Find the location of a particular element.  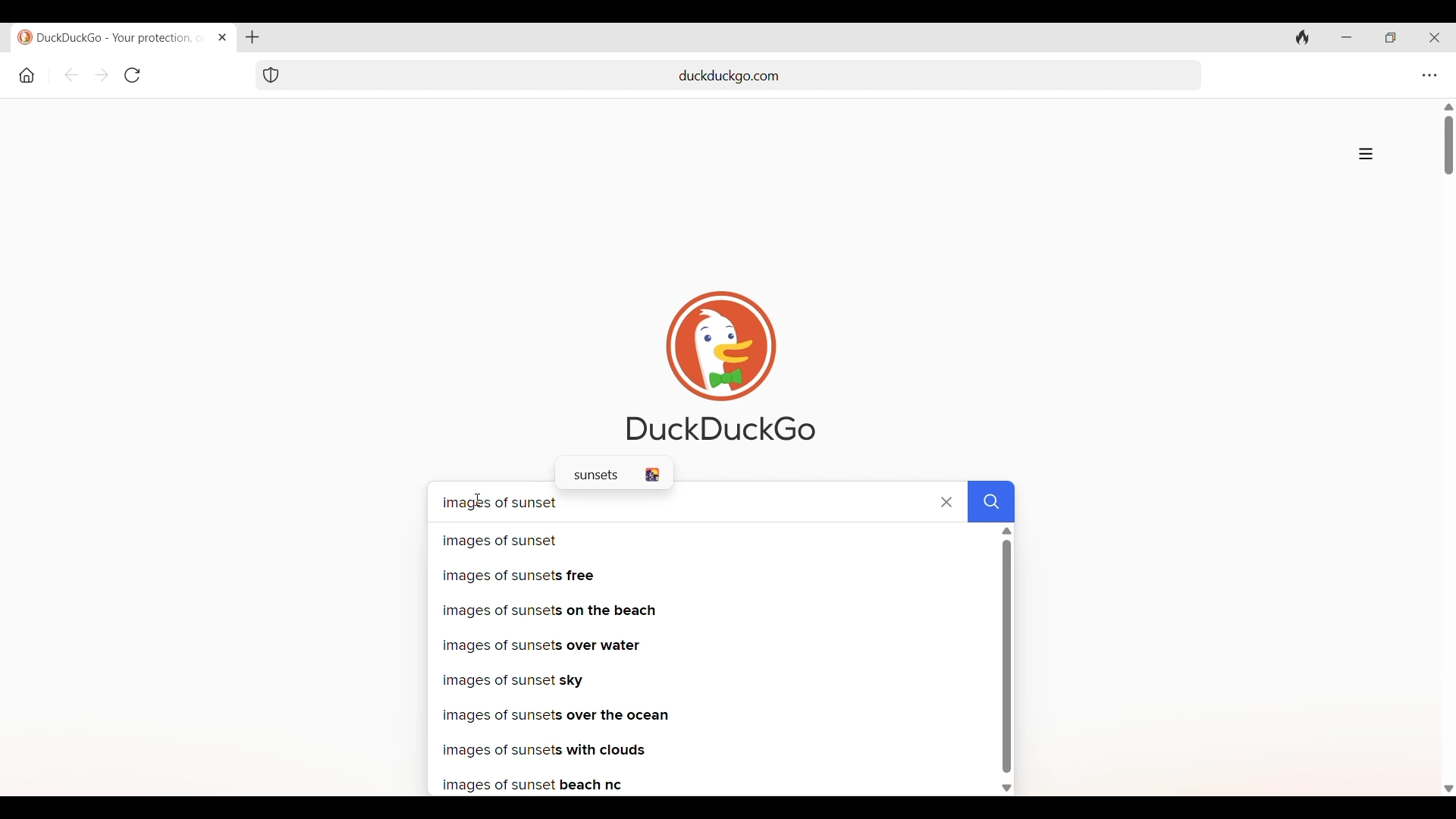

Delete input made is located at coordinates (946, 502).